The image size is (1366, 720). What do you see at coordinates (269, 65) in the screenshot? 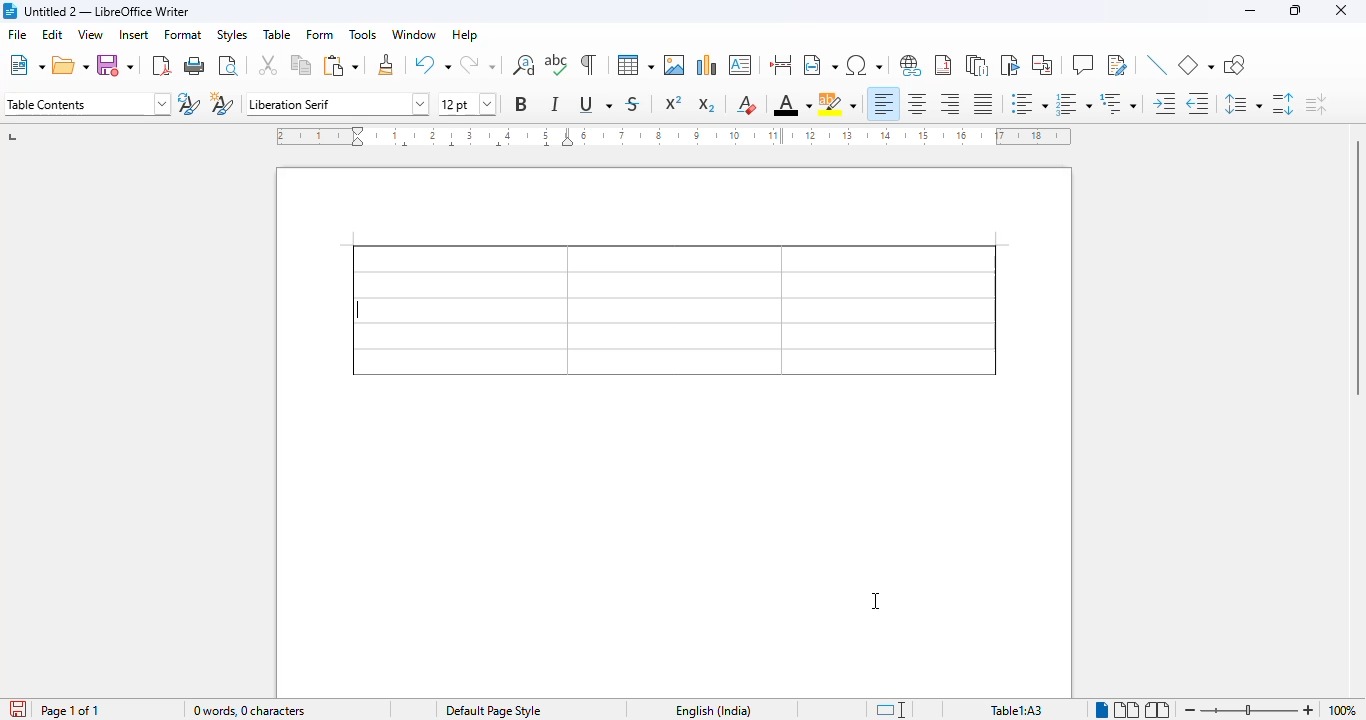
I see `cut` at bounding box center [269, 65].